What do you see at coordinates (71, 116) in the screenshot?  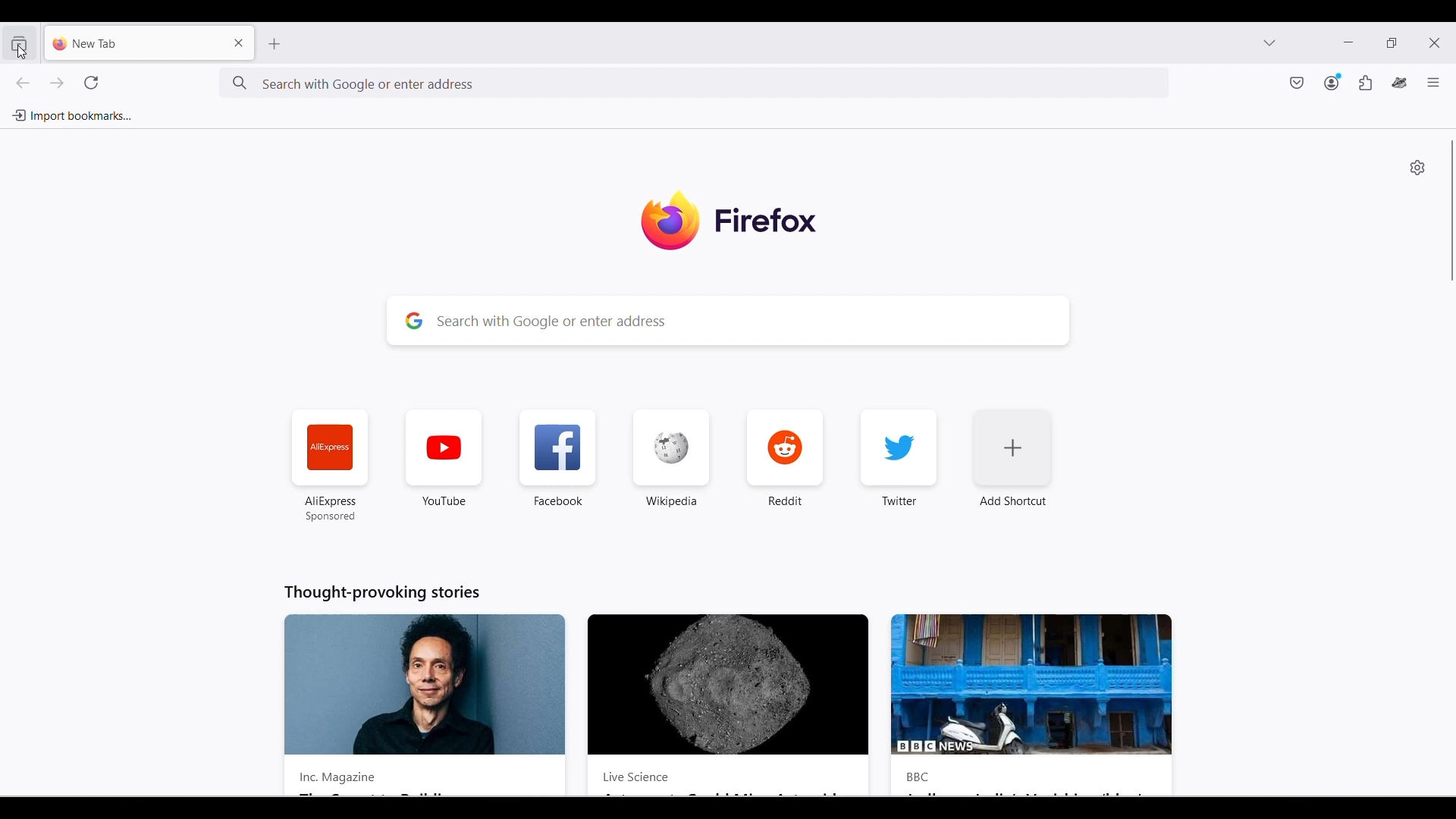 I see `Import bookmarks from another Firefox browser` at bounding box center [71, 116].